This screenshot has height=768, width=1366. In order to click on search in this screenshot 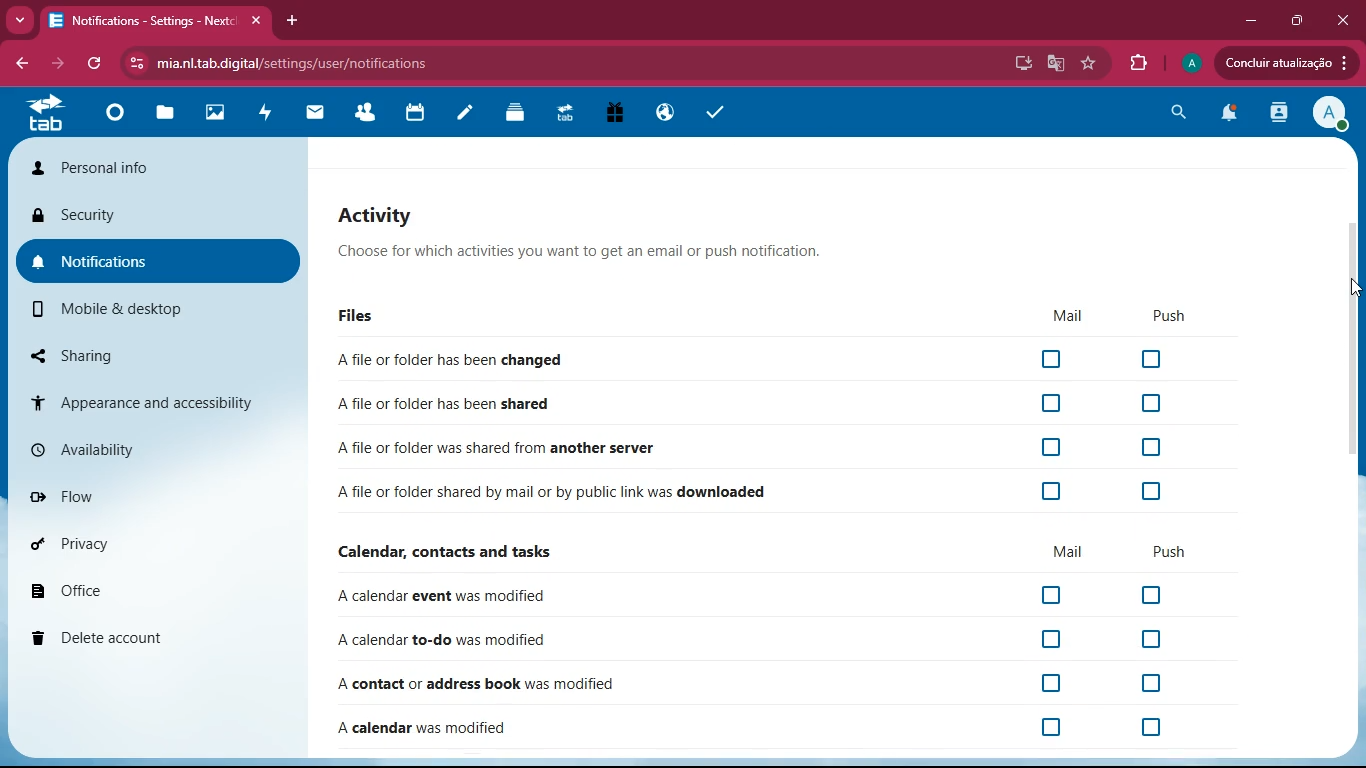, I will do `click(1182, 112)`.